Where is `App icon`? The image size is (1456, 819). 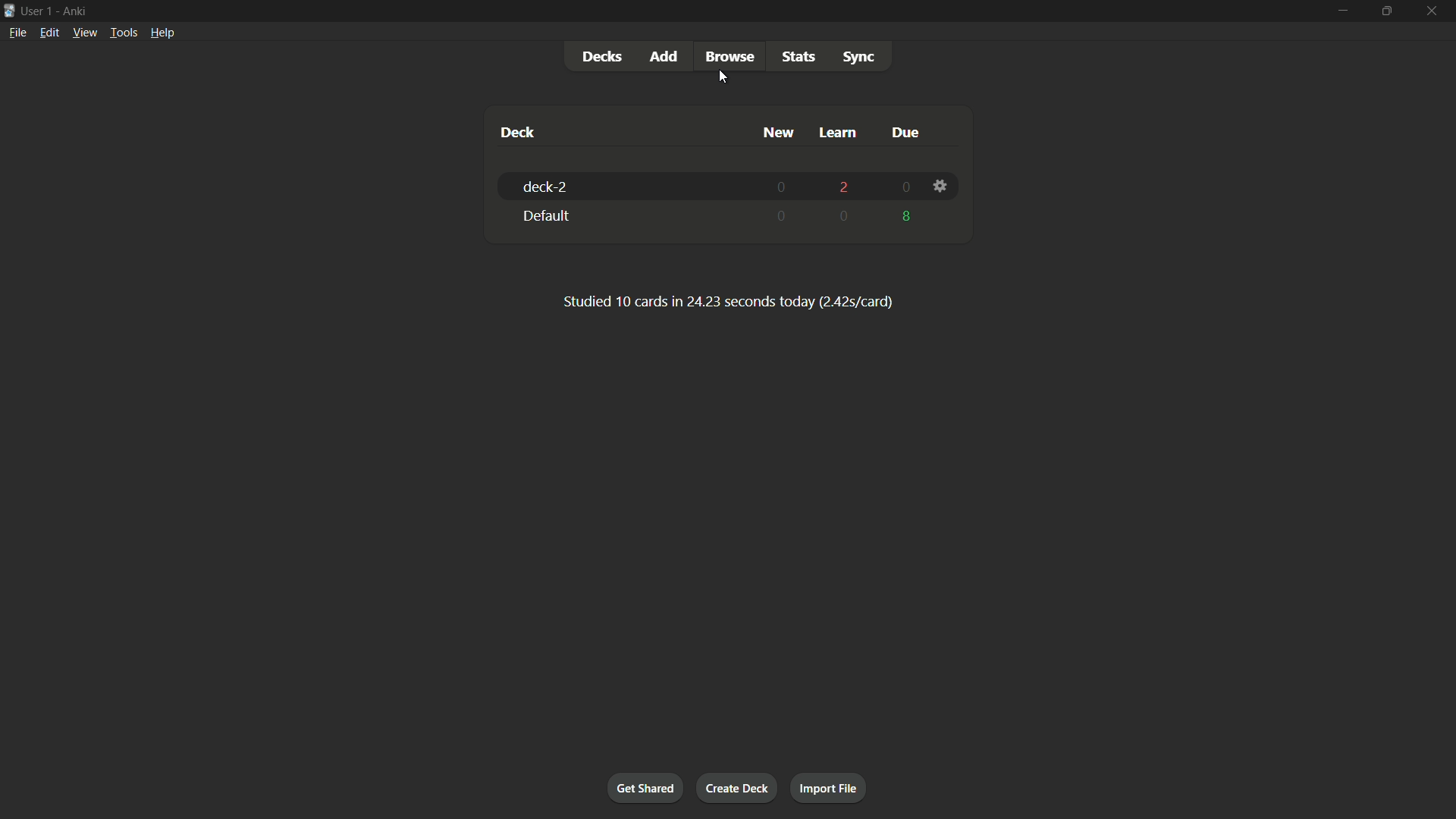 App icon is located at coordinates (9, 11).